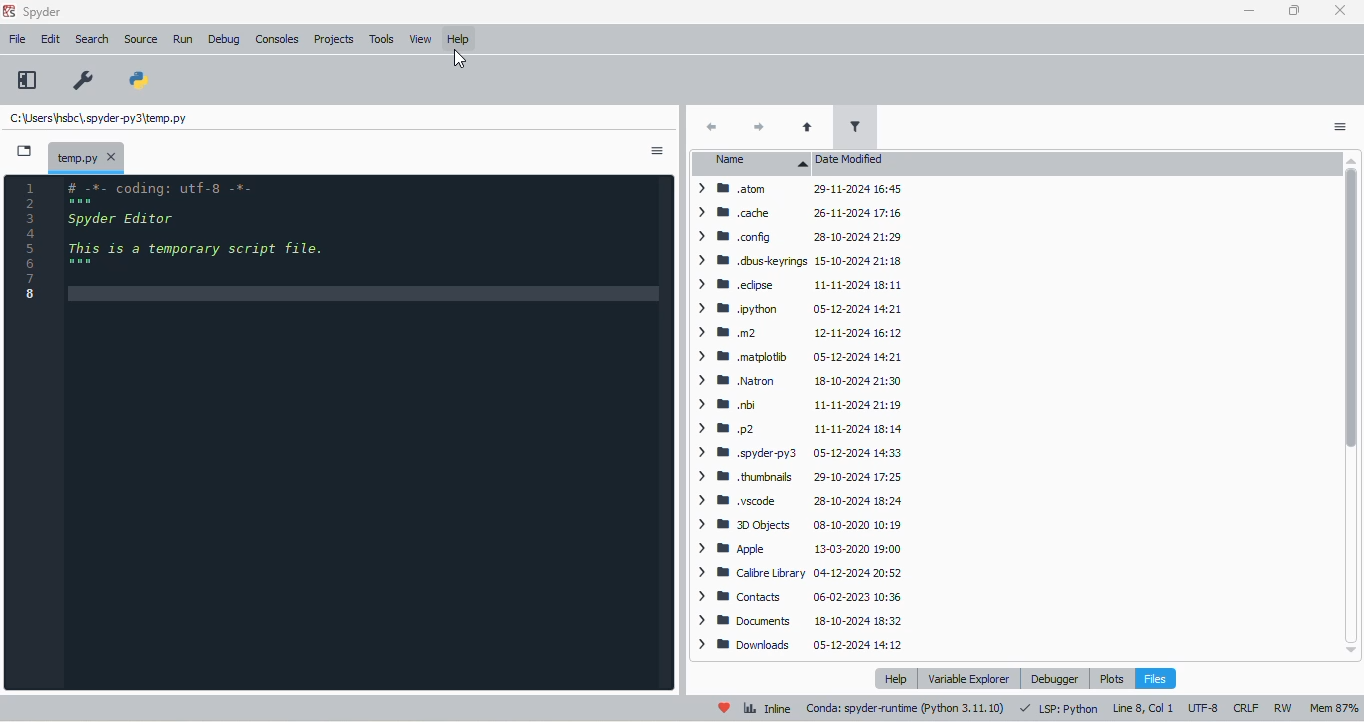 Image resolution: width=1364 pixels, height=722 pixels. Describe the element at coordinates (808, 127) in the screenshot. I see `parent` at that location.